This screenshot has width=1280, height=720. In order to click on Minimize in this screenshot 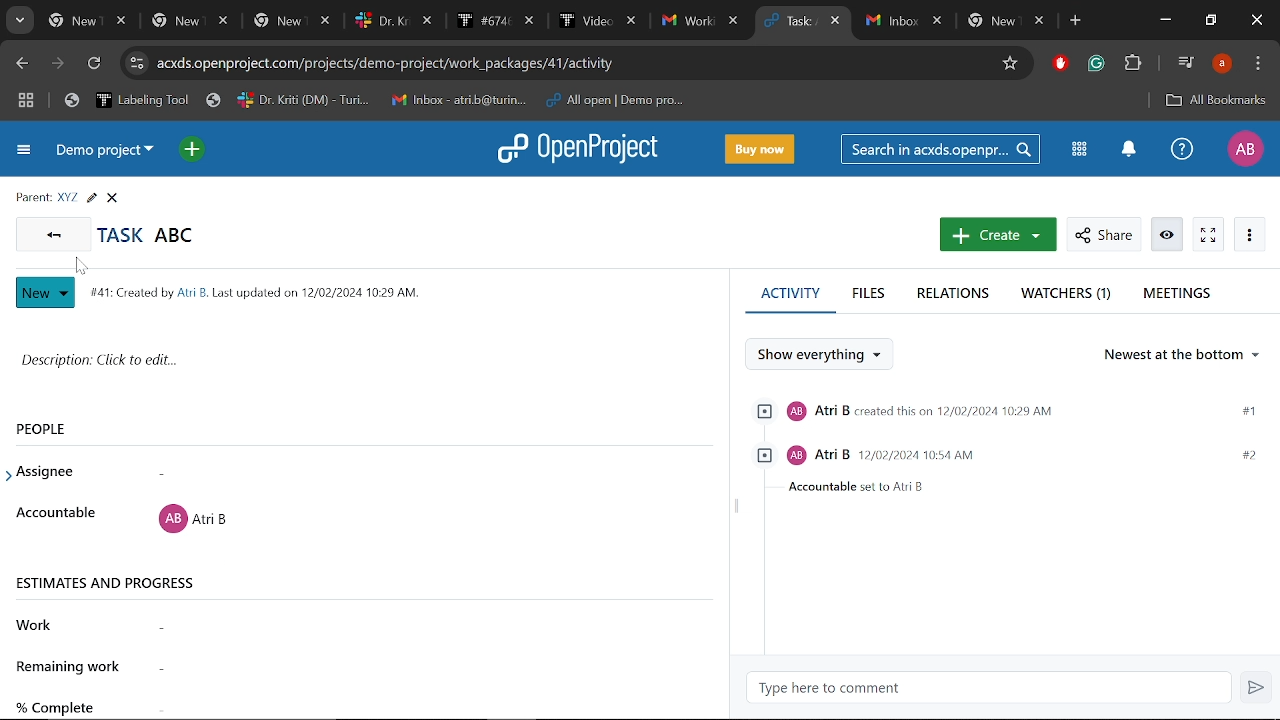, I will do `click(1165, 22)`.